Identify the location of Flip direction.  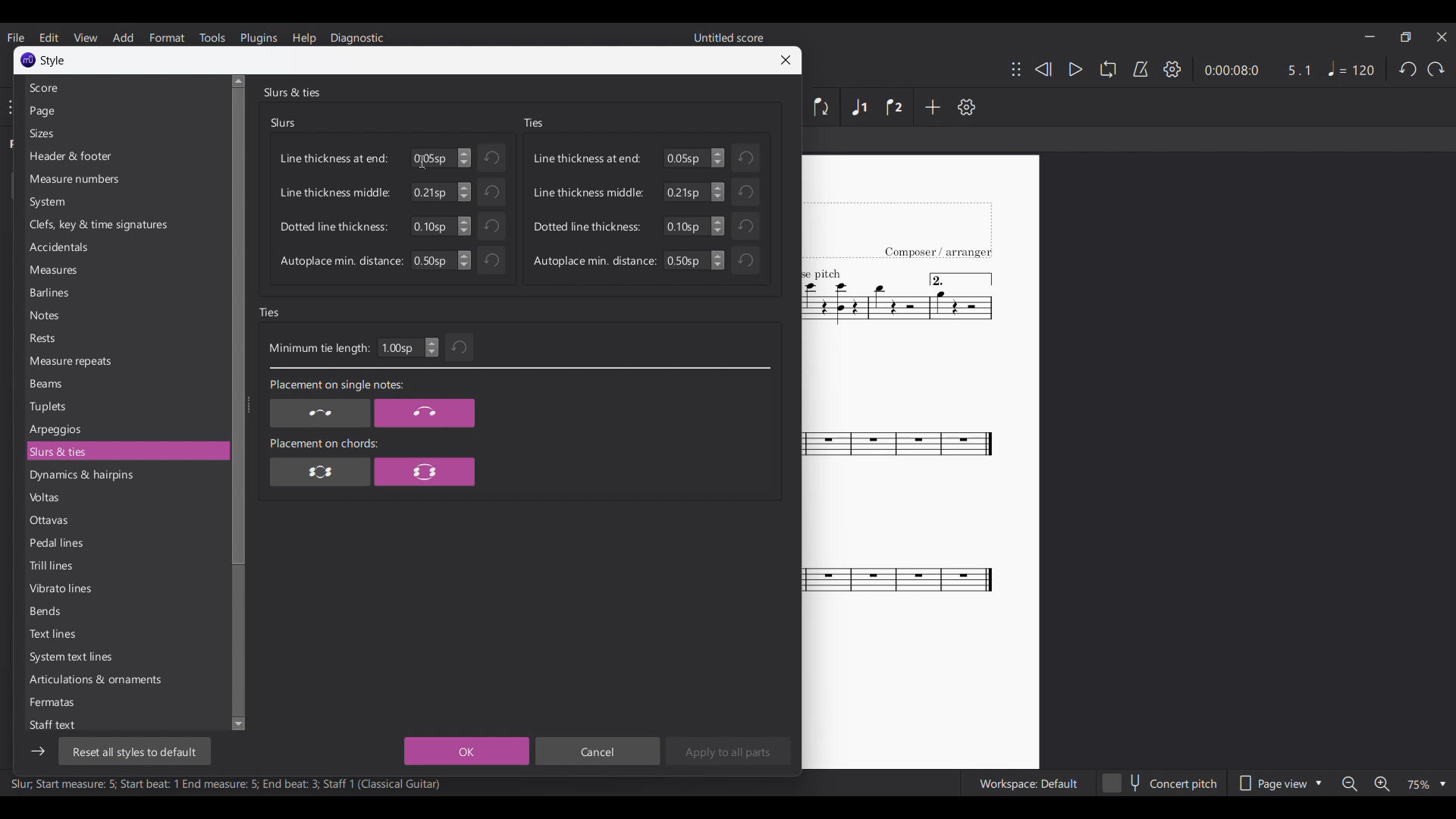
(822, 107).